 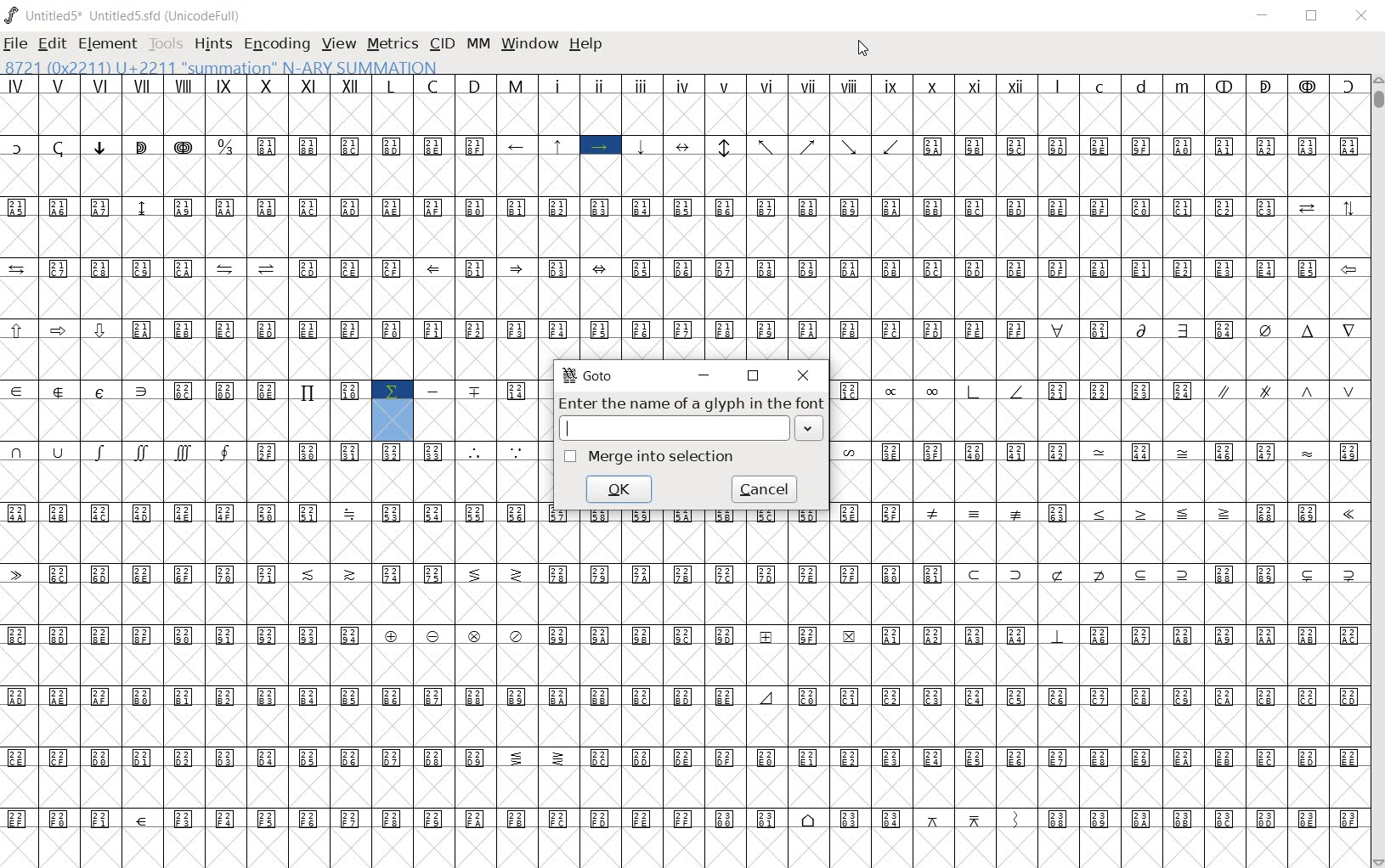 I want to click on special symbols, so click(x=687, y=757).